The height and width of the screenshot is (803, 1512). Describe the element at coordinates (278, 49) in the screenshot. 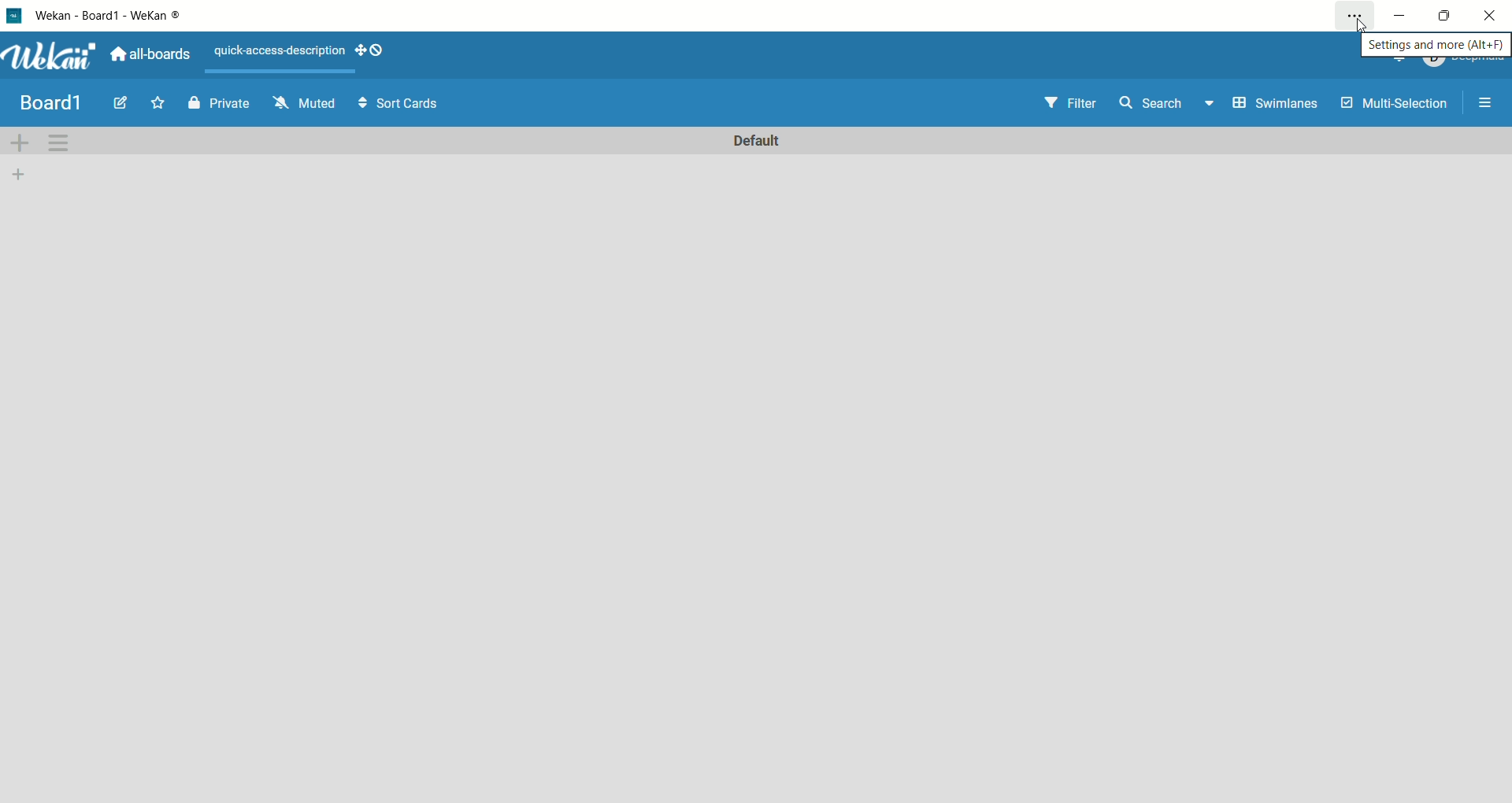

I see `text` at that location.